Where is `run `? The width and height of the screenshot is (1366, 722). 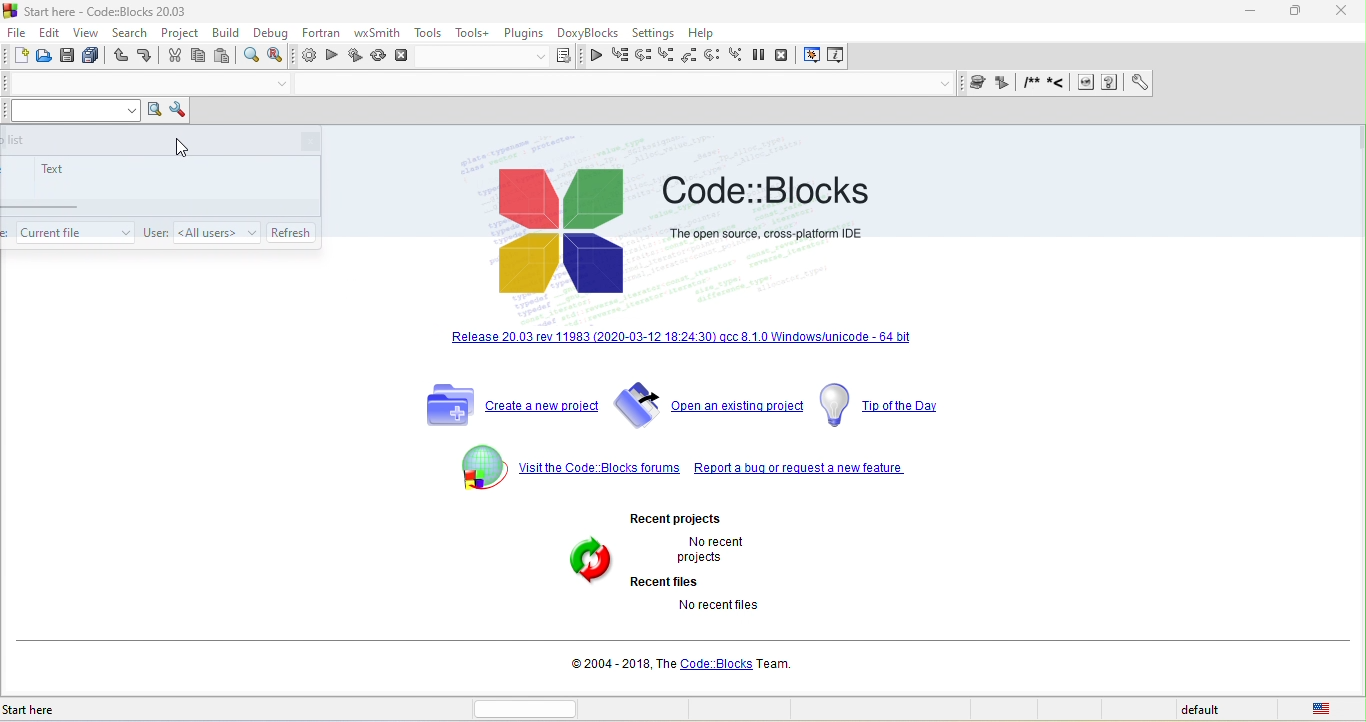
run  is located at coordinates (332, 57).